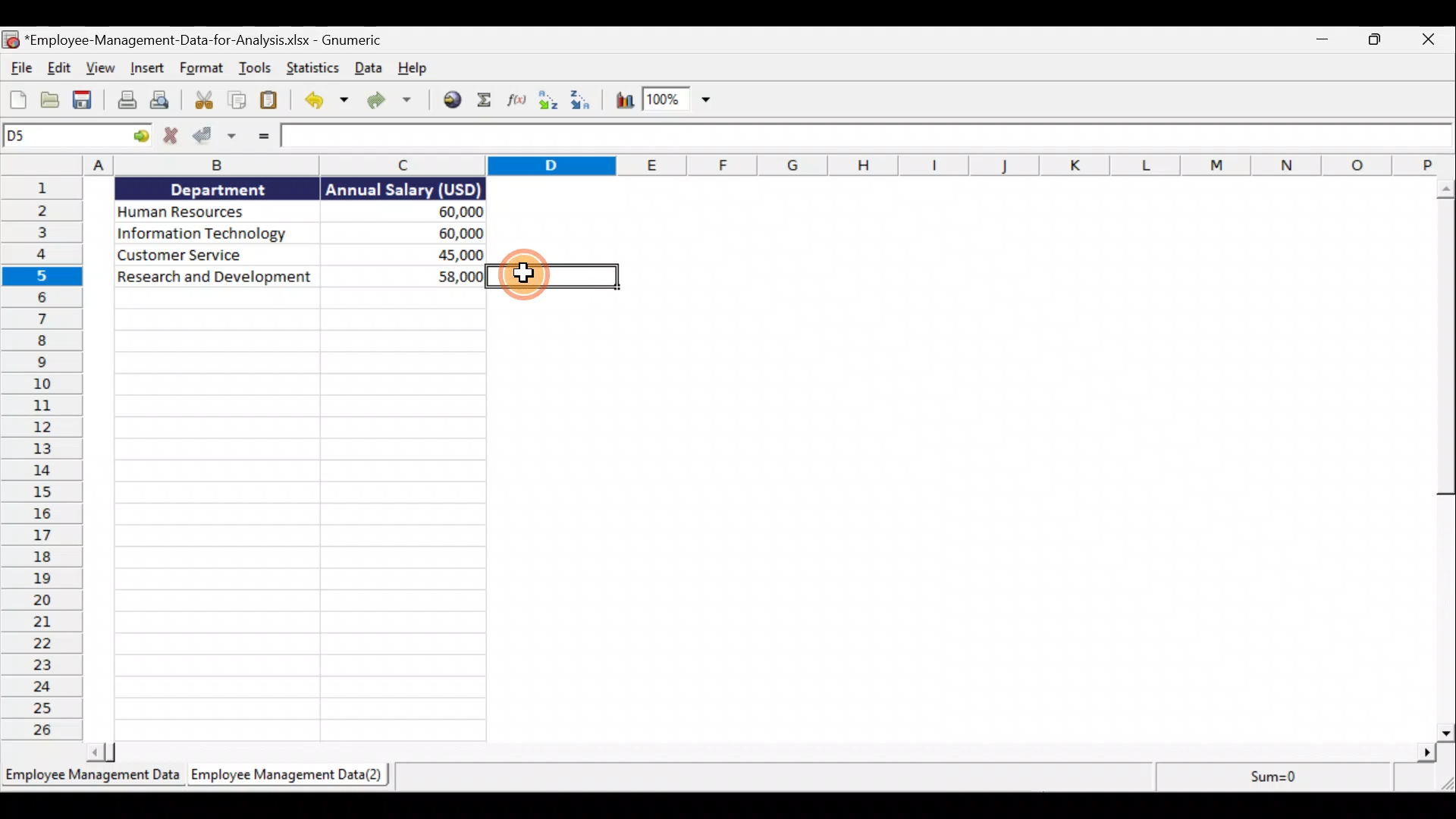 The height and width of the screenshot is (819, 1456). What do you see at coordinates (81, 99) in the screenshot?
I see `Save the current workbook` at bounding box center [81, 99].